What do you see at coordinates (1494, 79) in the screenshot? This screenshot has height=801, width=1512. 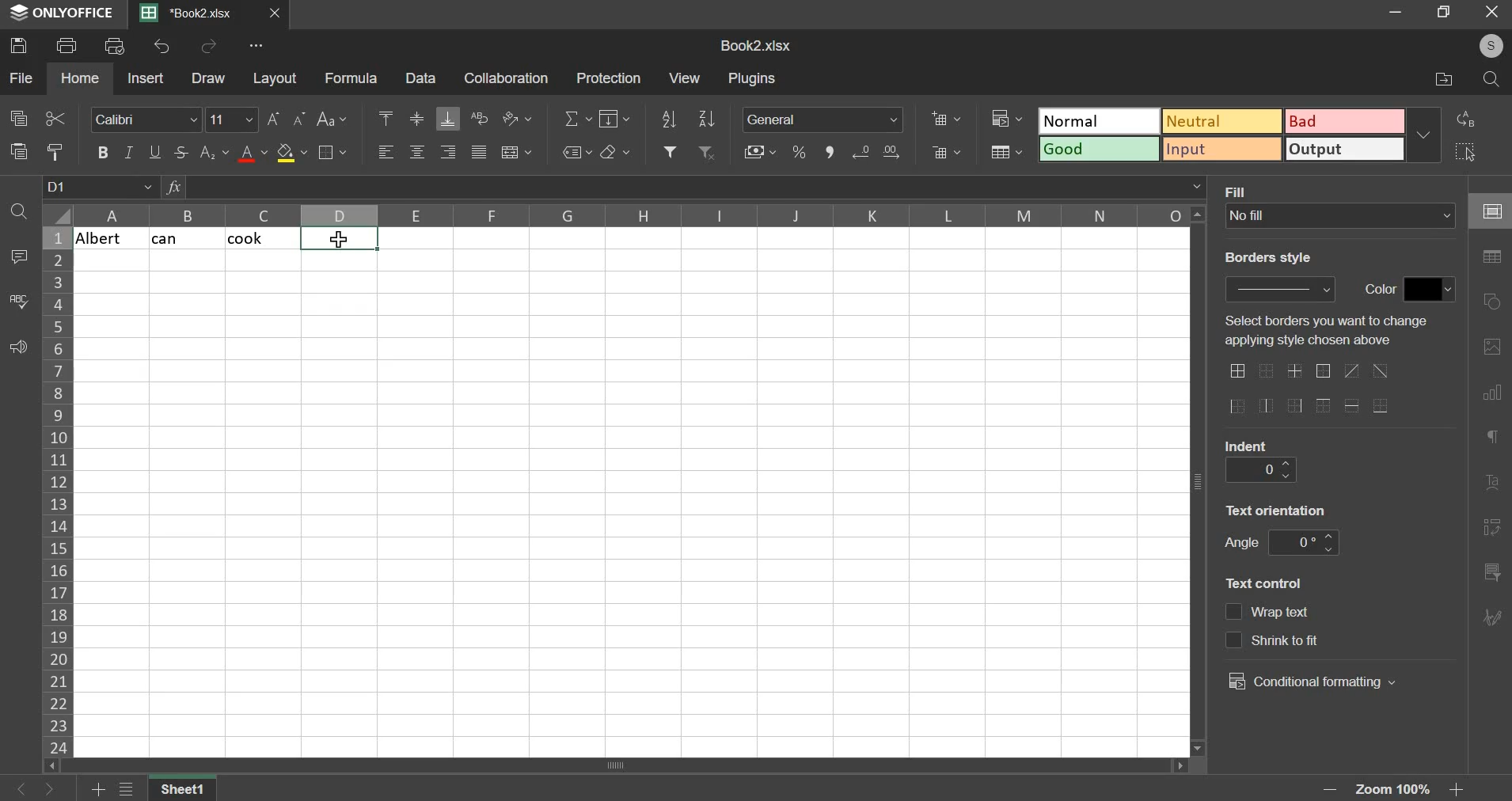 I see `search` at bounding box center [1494, 79].